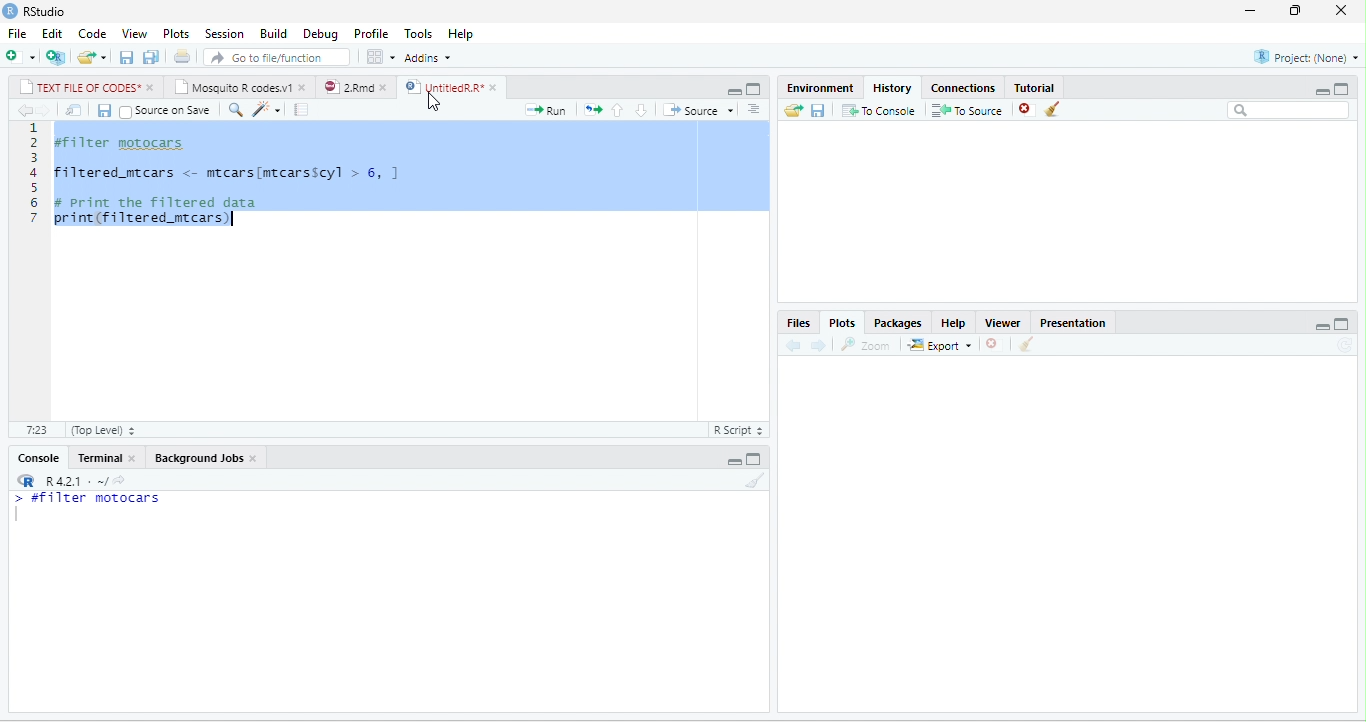  Describe the element at coordinates (164, 212) in the screenshot. I see `# print the filtered dataprint(filtered_mtcars)` at that location.